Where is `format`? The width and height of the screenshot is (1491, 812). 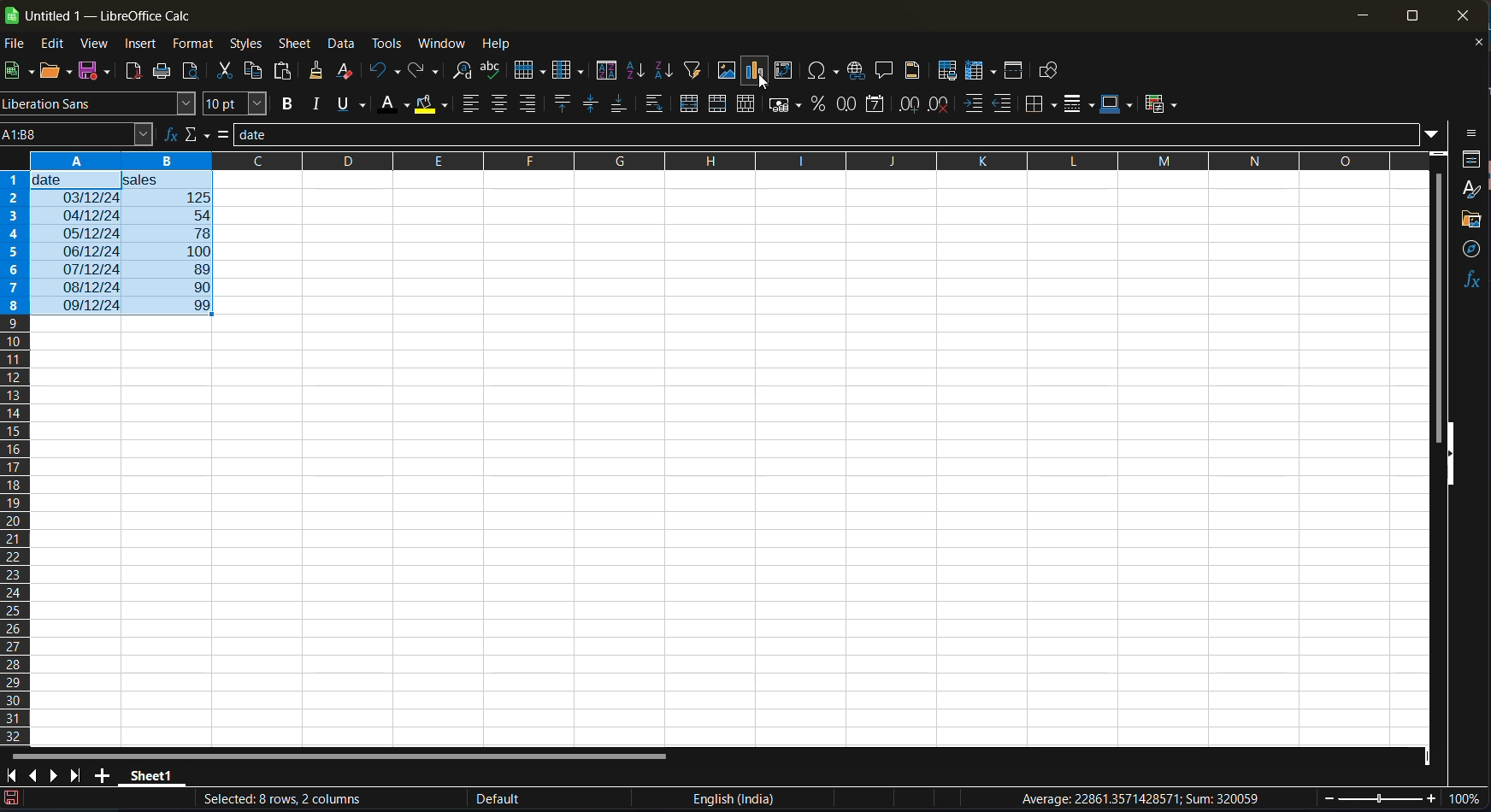 format is located at coordinates (195, 47).